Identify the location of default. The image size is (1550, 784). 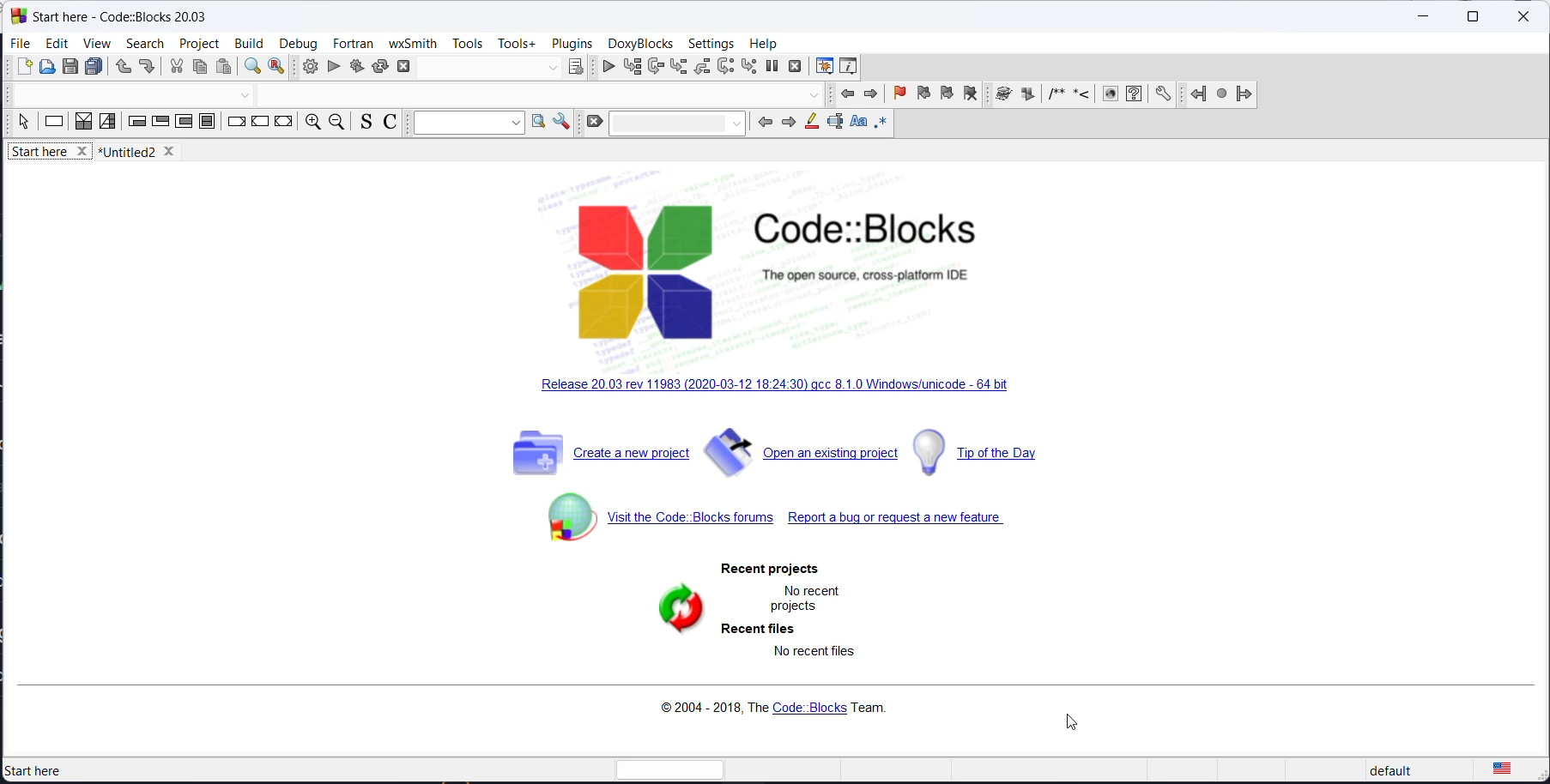
(1408, 770).